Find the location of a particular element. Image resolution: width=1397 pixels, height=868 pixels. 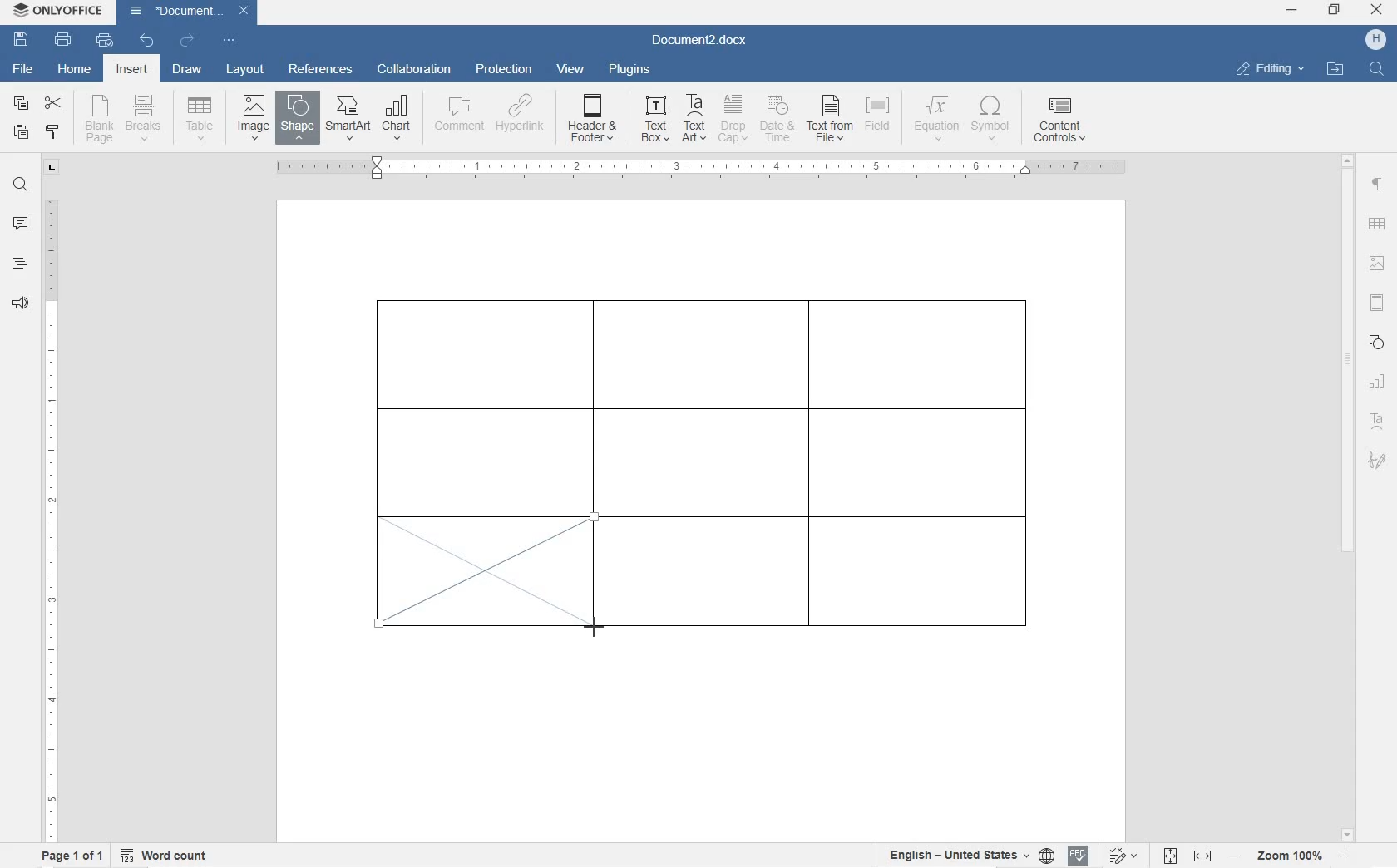

cut is located at coordinates (52, 104).